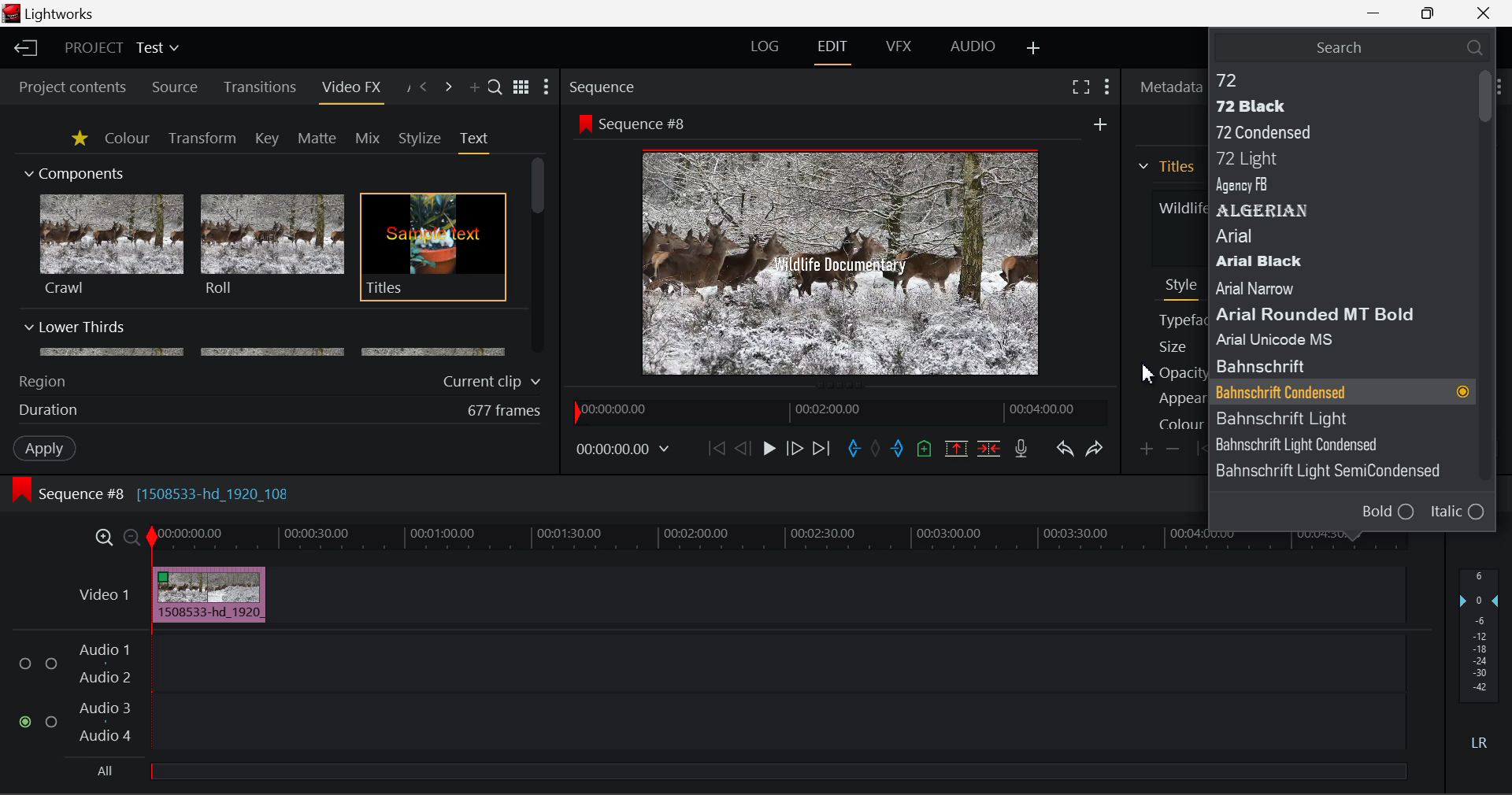 This screenshot has width=1512, height=795. Describe the element at coordinates (956, 449) in the screenshot. I see `Remove Marked Section` at that location.